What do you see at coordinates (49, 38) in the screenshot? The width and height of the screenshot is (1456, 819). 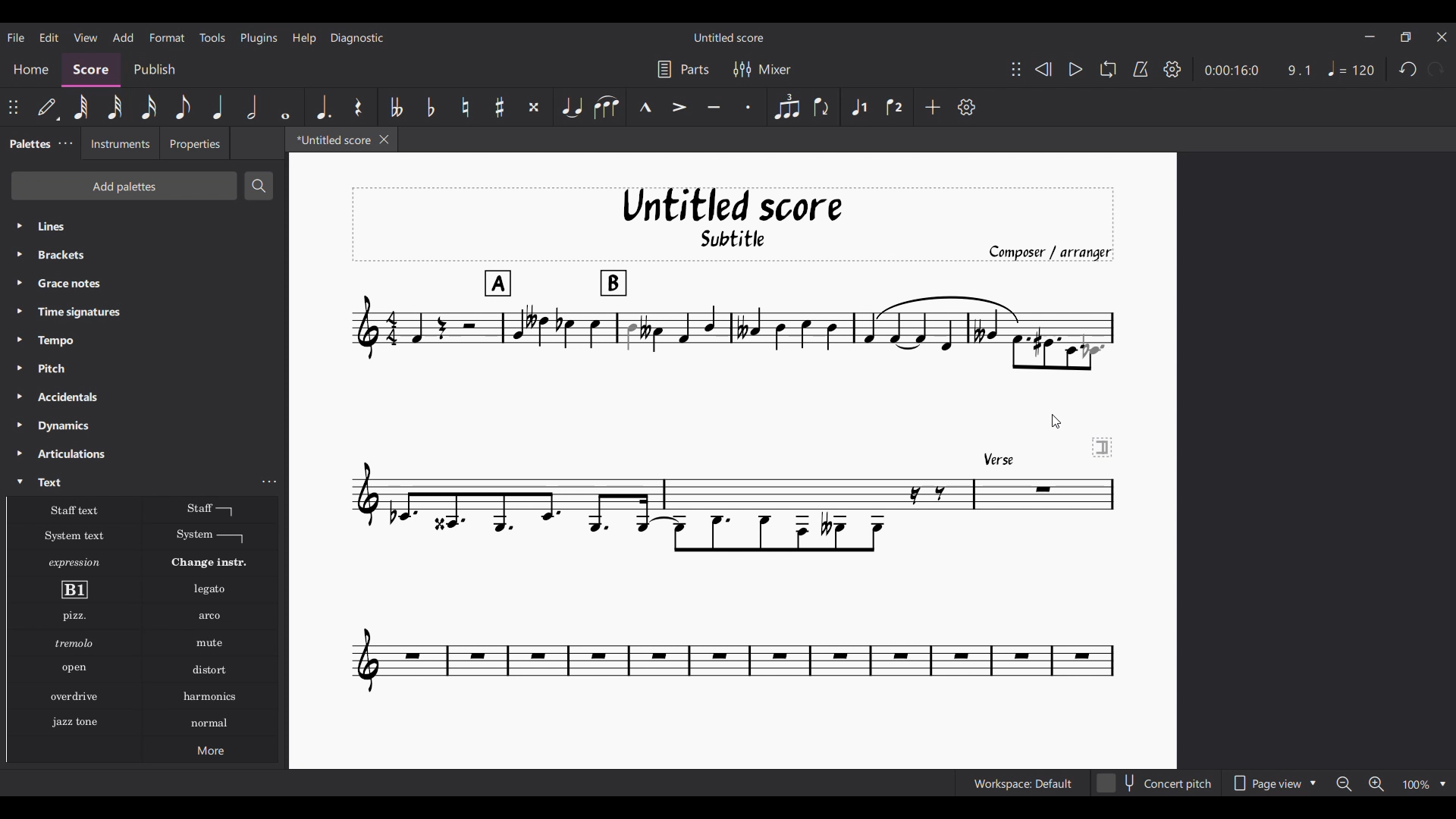 I see `Edit menu` at bounding box center [49, 38].